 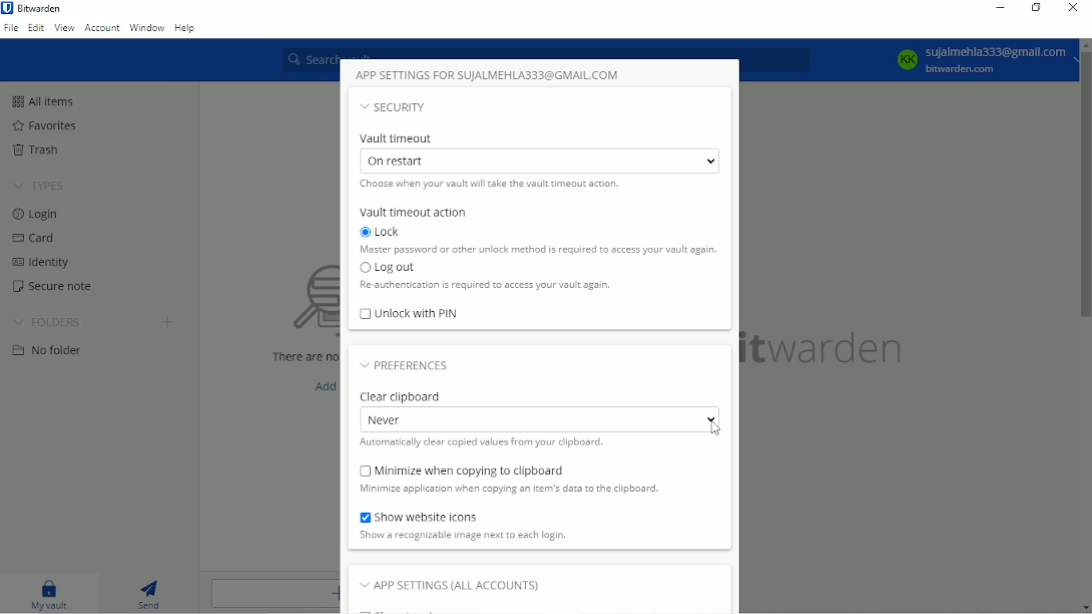 I want to click on View, so click(x=64, y=29).